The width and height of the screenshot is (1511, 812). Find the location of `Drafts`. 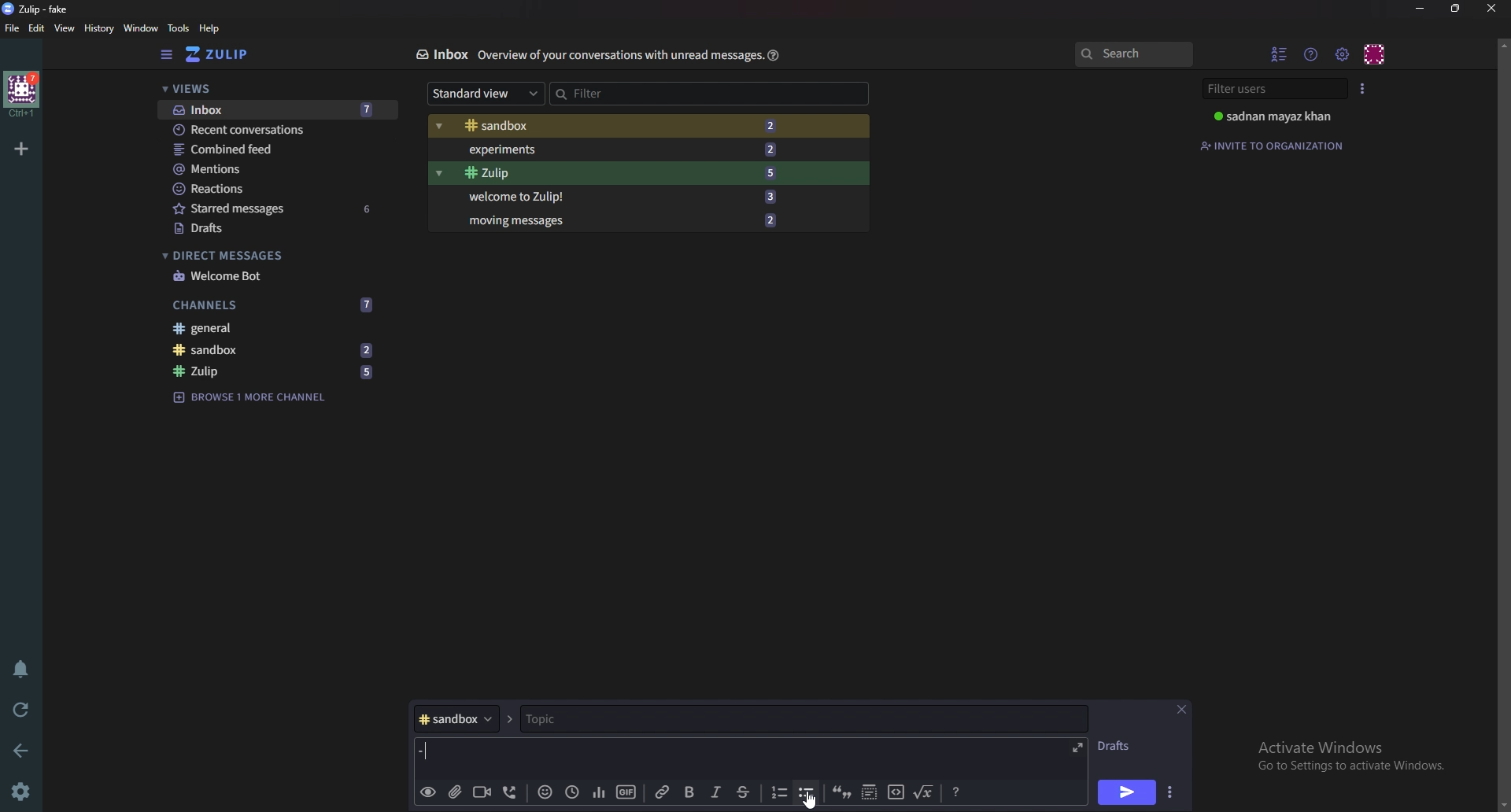

Drafts is located at coordinates (275, 230).